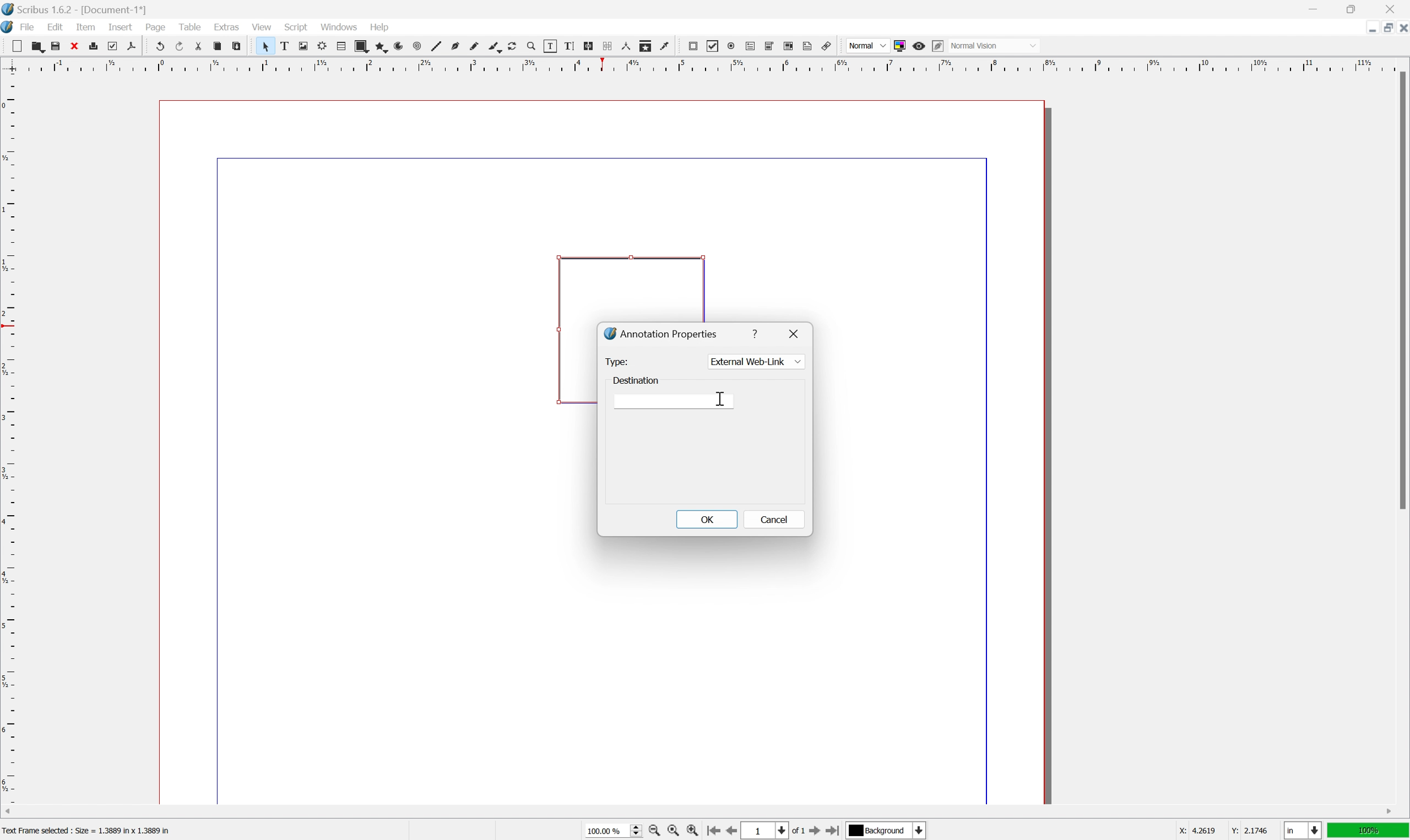 The image size is (1410, 840). Describe the element at coordinates (661, 333) in the screenshot. I see `annotation properties` at that location.